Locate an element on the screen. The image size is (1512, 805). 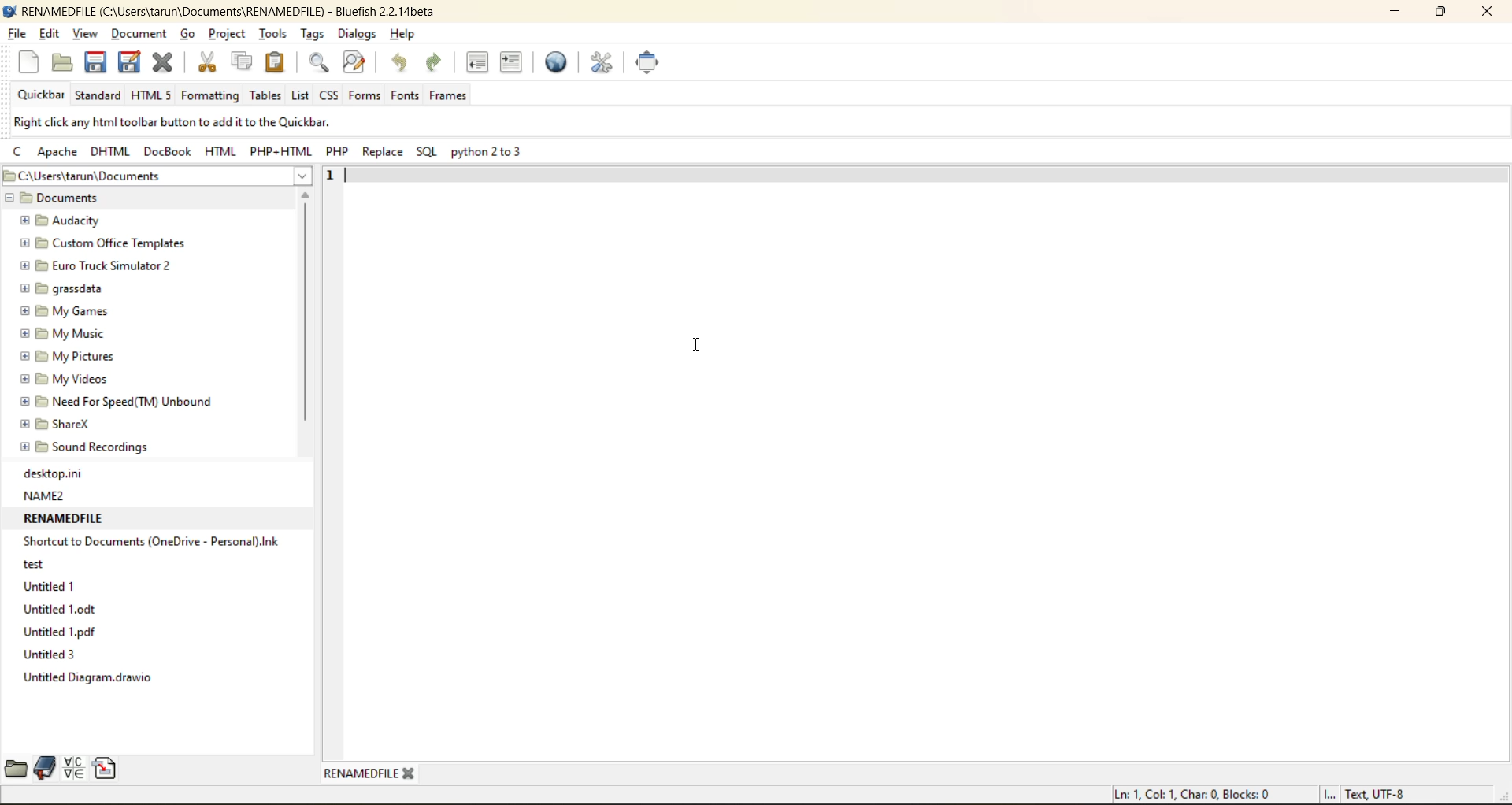
php html is located at coordinates (284, 153).